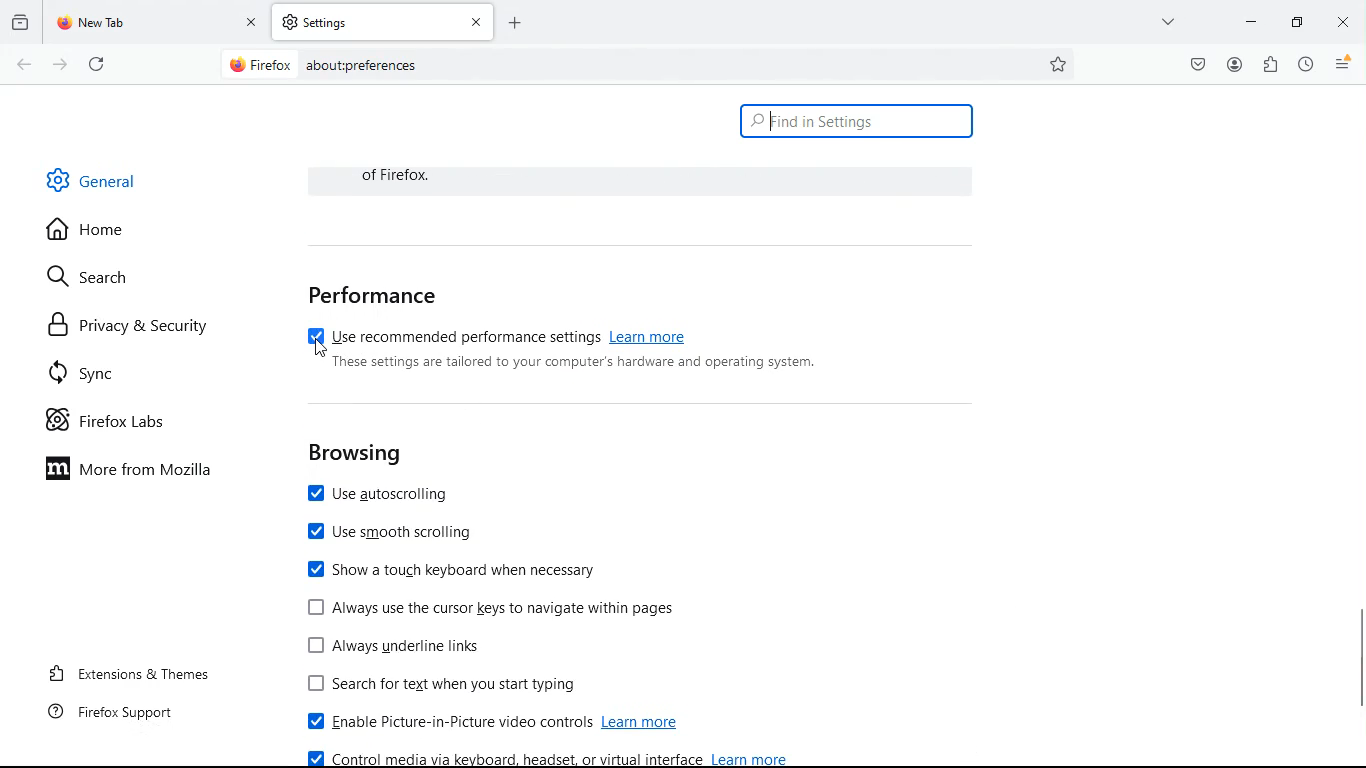 The height and width of the screenshot is (768, 1366). What do you see at coordinates (97, 279) in the screenshot?
I see `search` at bounding box center [97, 279].